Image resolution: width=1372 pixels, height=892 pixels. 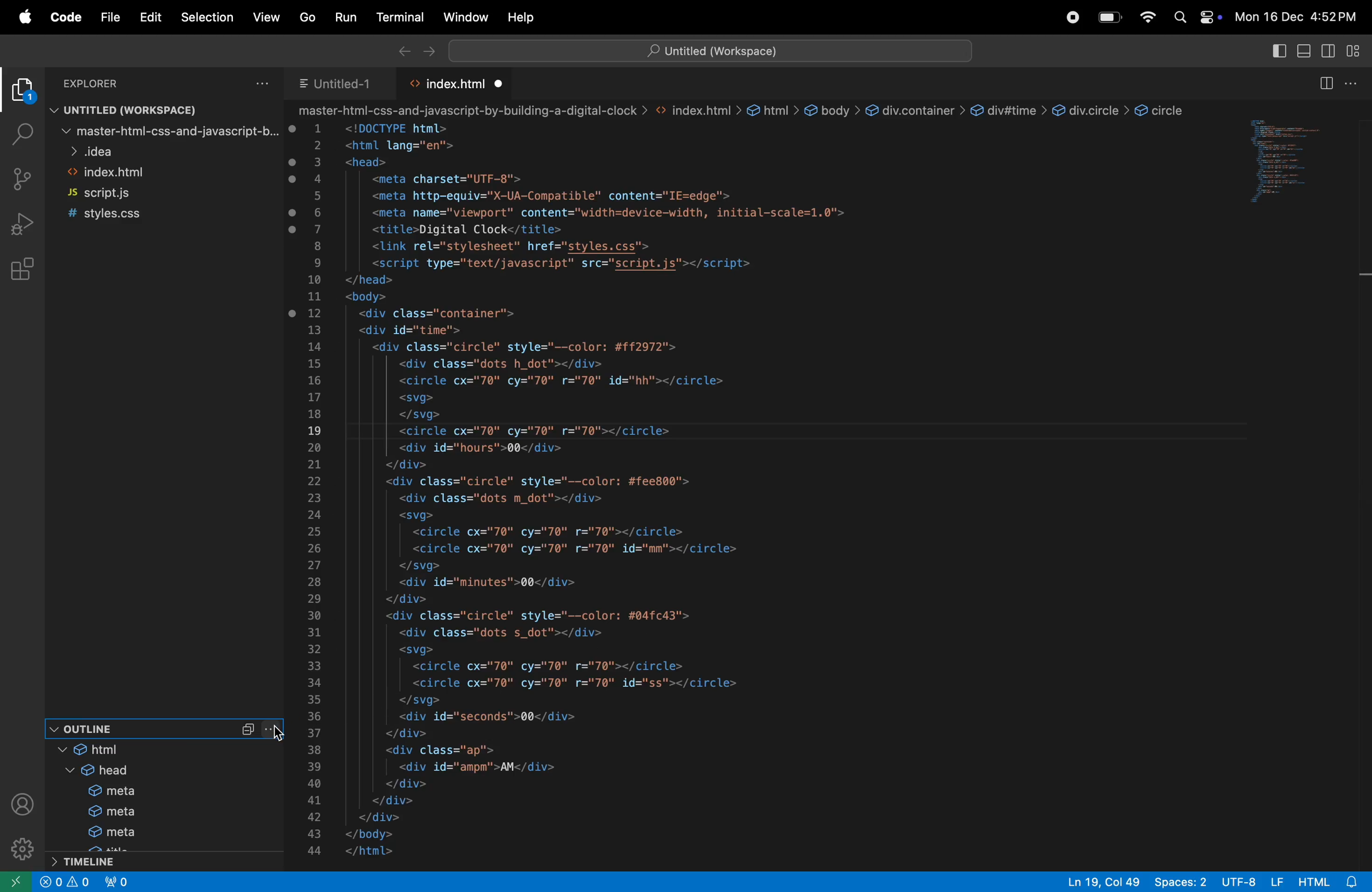 I want to click on js.script, so click(x=126, y=192).